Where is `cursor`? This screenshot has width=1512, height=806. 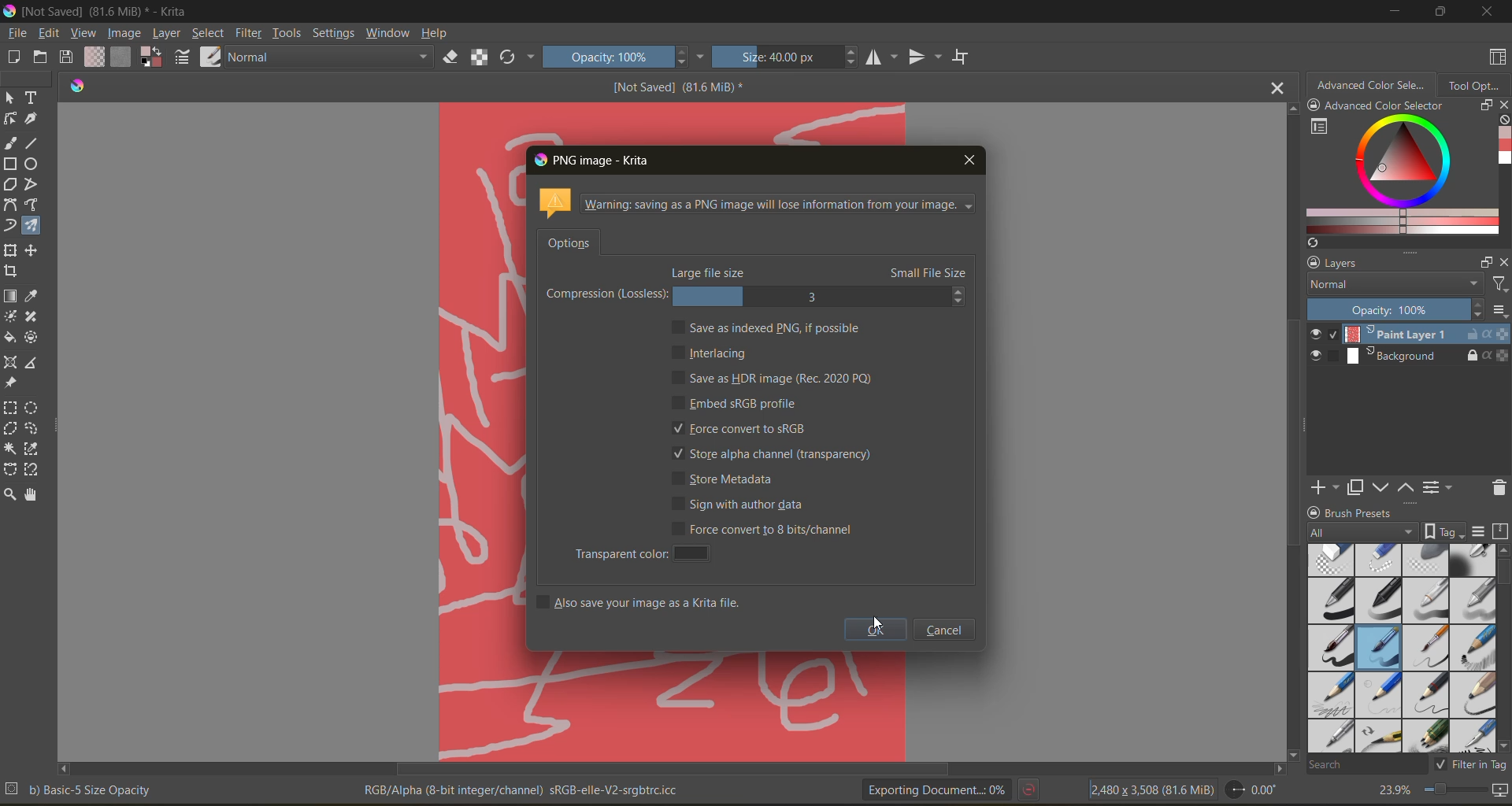
cursor is located at coordinates (877, 625).